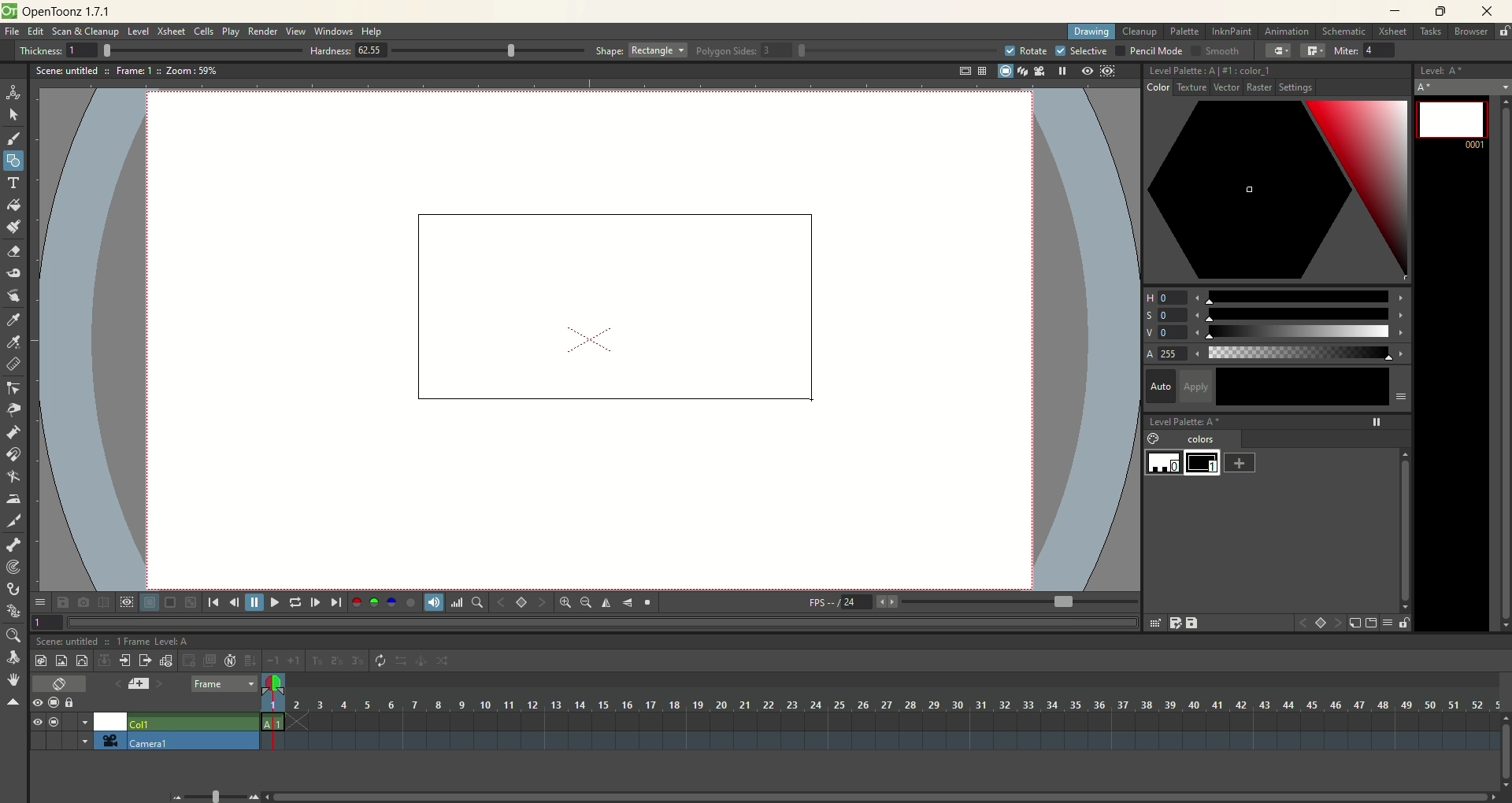 Image resolution: width=1512 pixels, height=803 pixels. I want to click on hardness, so click(447, 52).